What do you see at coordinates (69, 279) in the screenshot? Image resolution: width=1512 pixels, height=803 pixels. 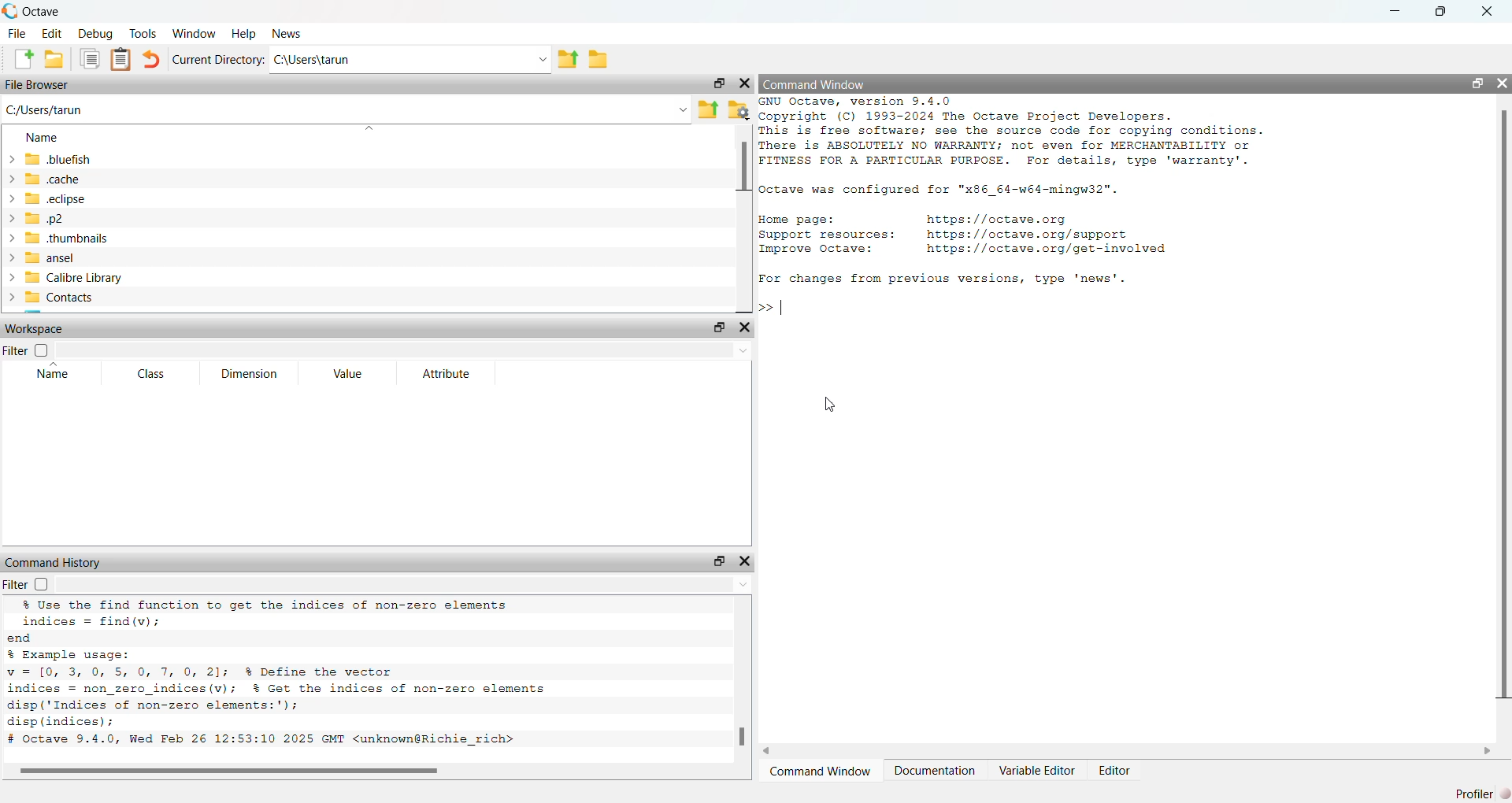 I see `Calibre Library` at bounding box center [69, 279].